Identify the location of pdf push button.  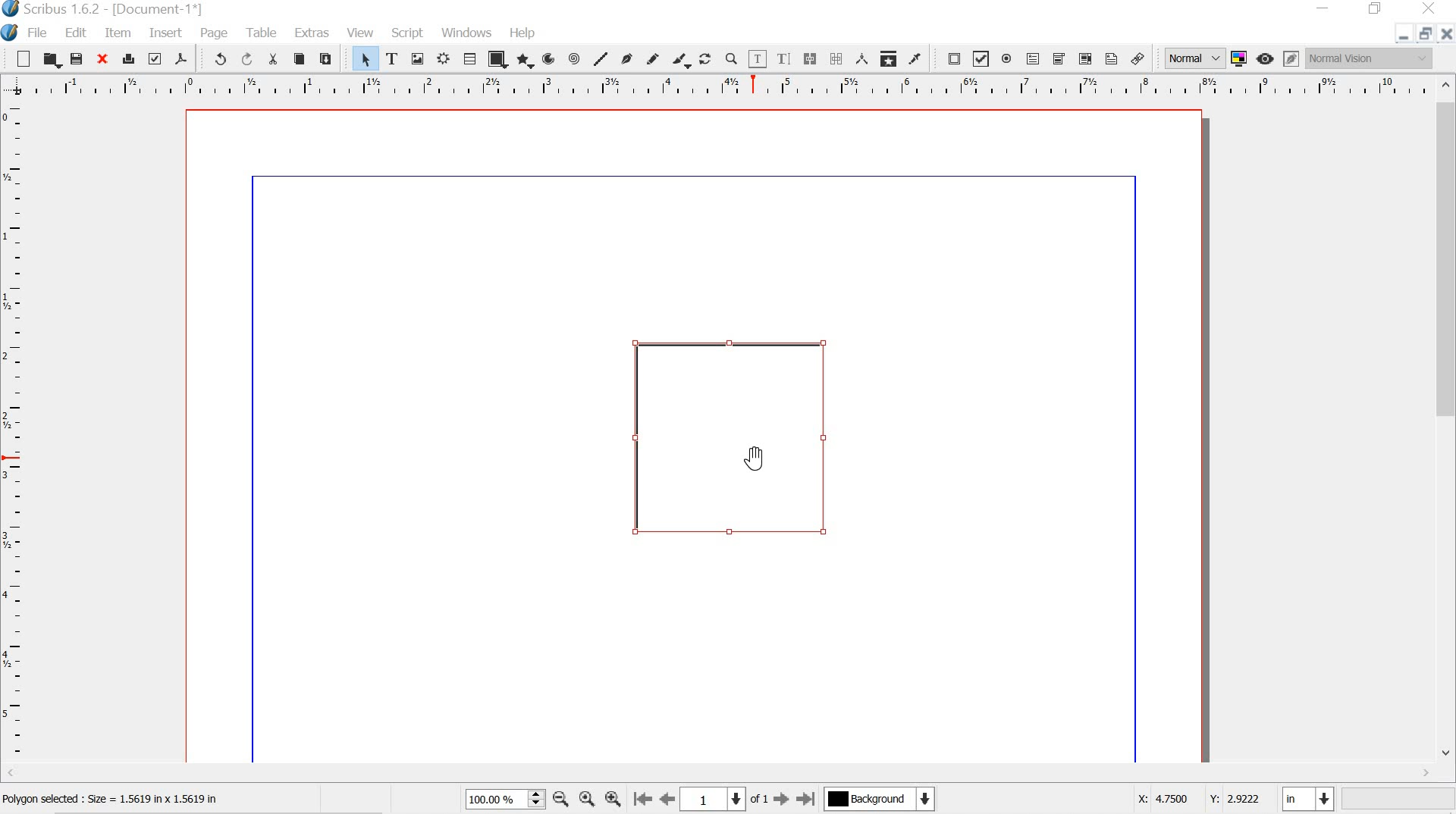
(952, 58).